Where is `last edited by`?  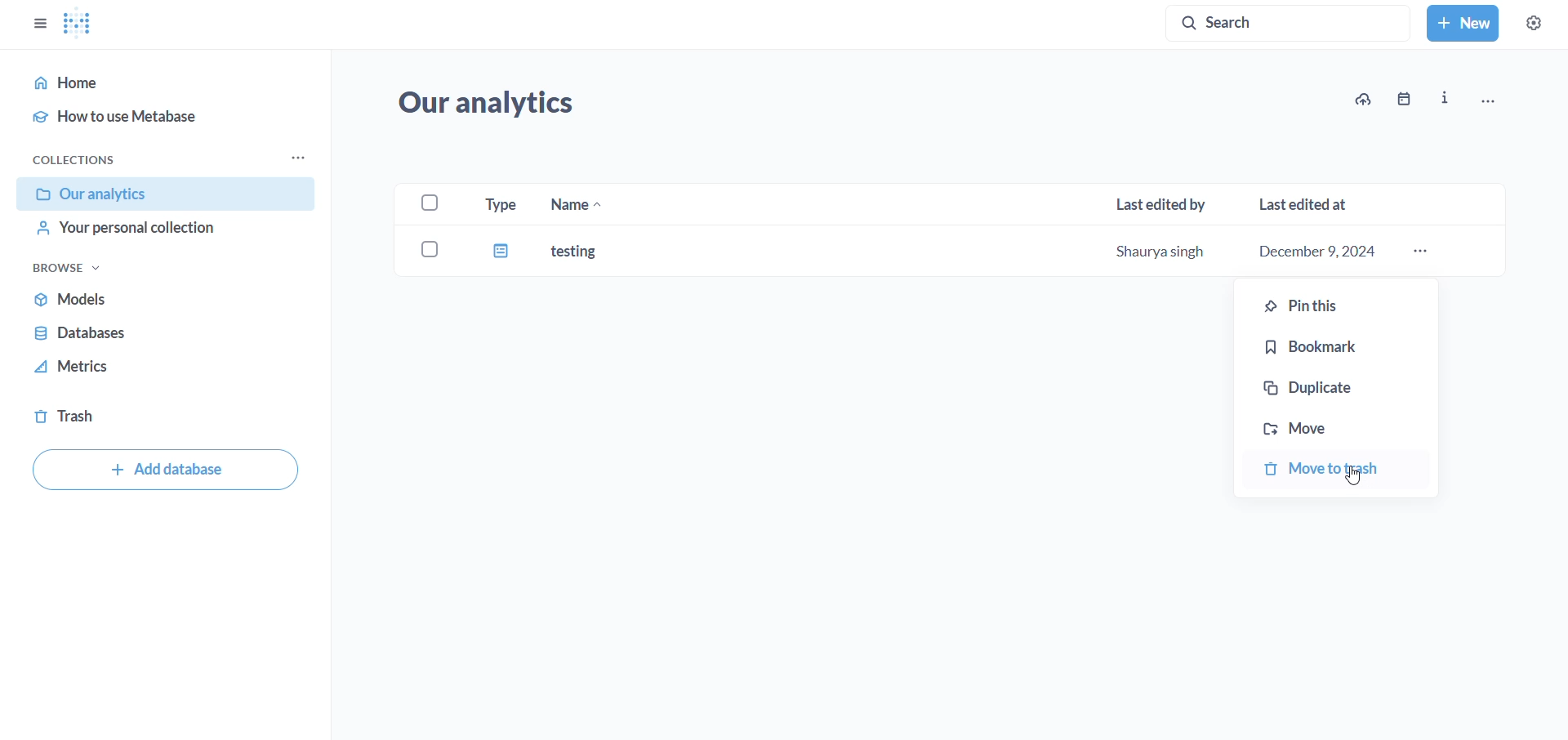 last edited by is located at coordinates (1166, 202).